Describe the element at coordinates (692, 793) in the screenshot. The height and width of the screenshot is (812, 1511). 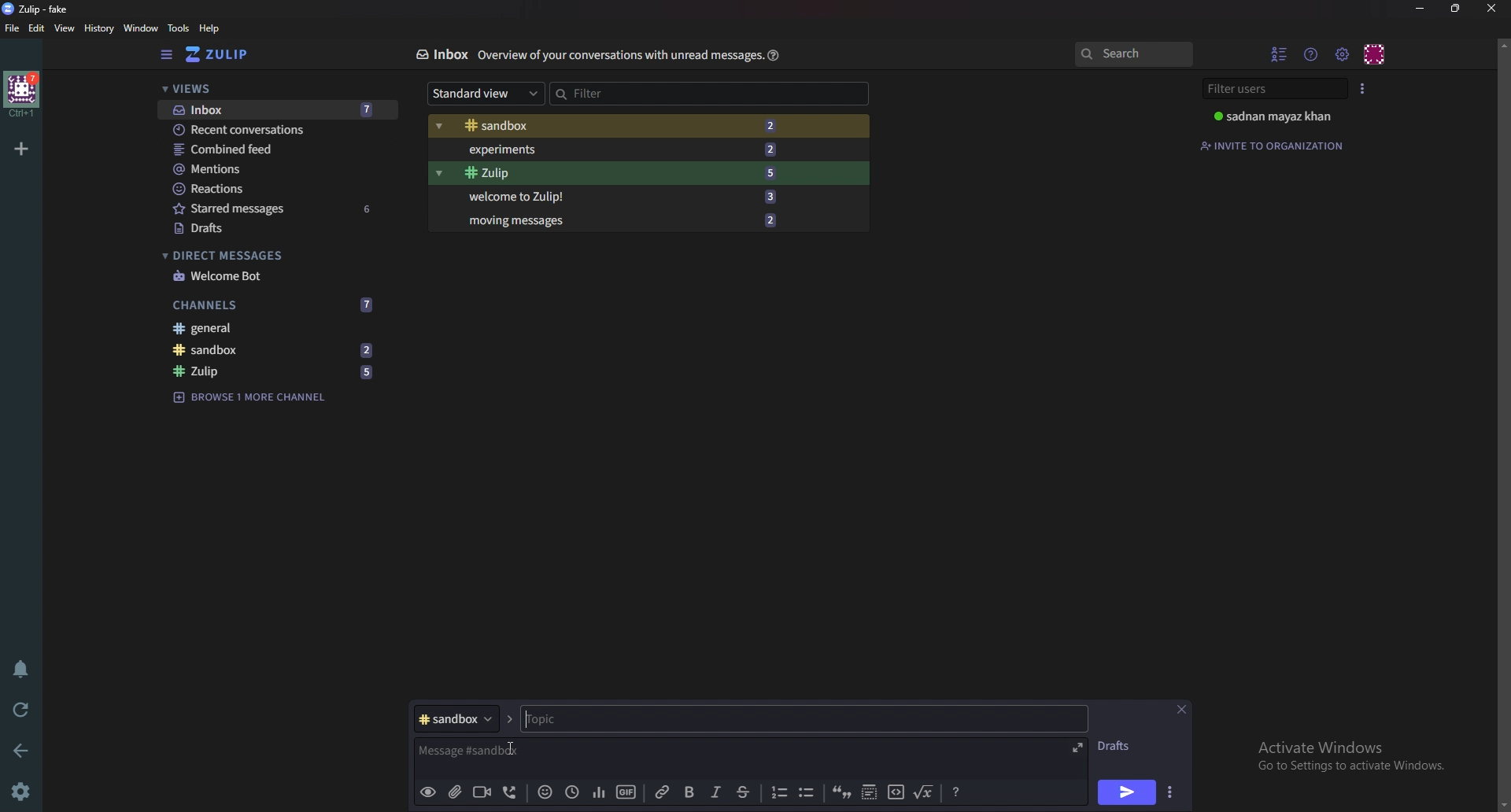
I see `bold` at that location.